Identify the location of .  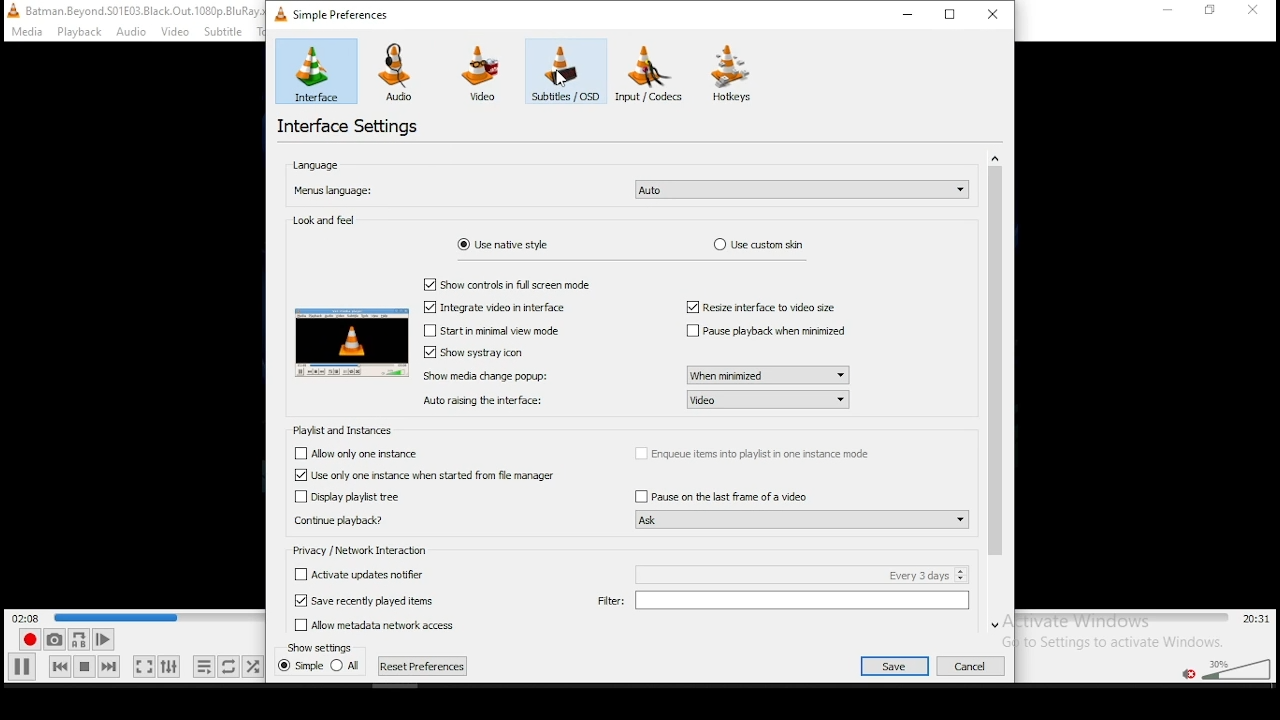
(345, 430).